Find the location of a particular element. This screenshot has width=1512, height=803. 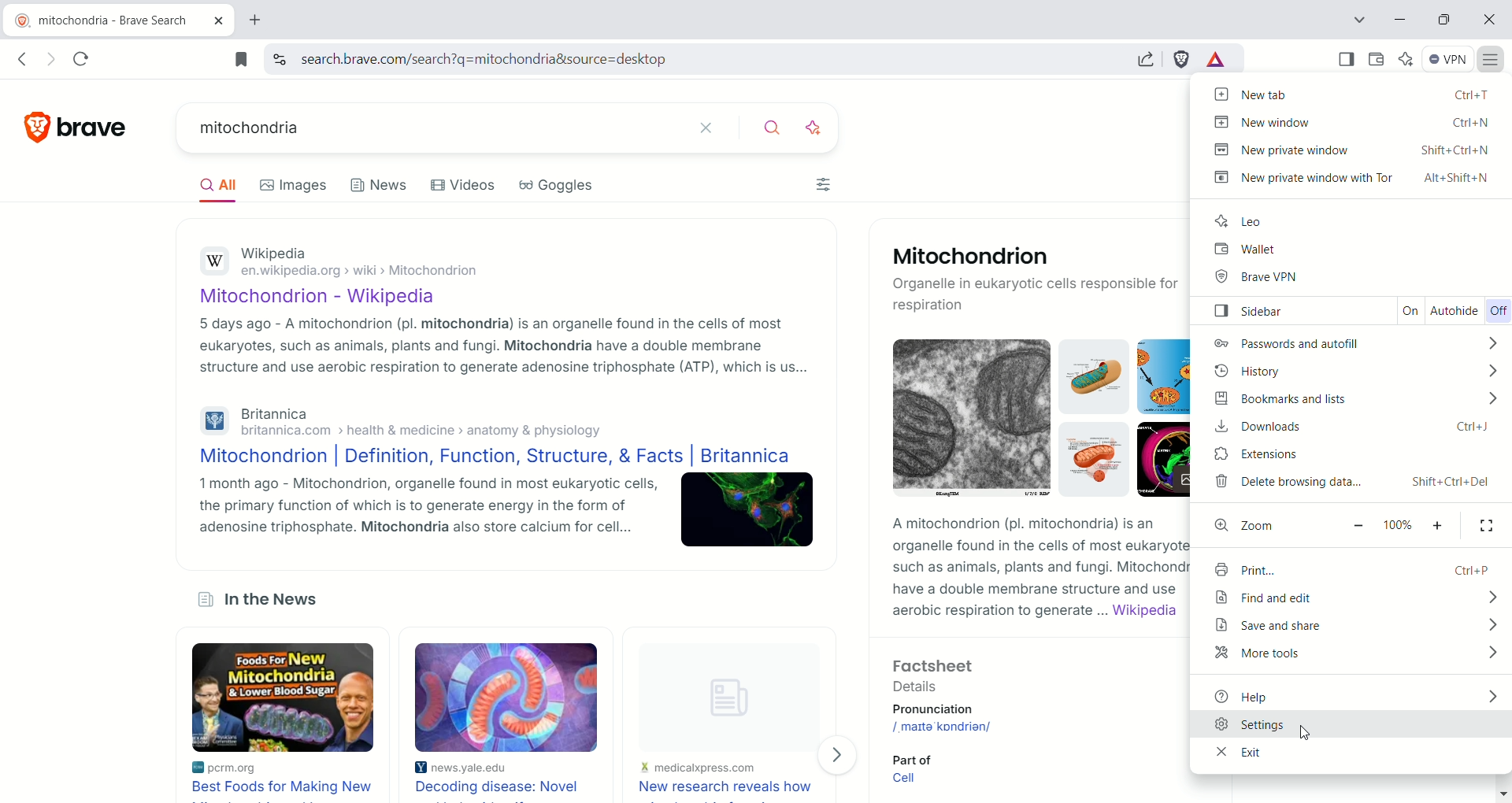

Videos is located at coordinates (470, 186).